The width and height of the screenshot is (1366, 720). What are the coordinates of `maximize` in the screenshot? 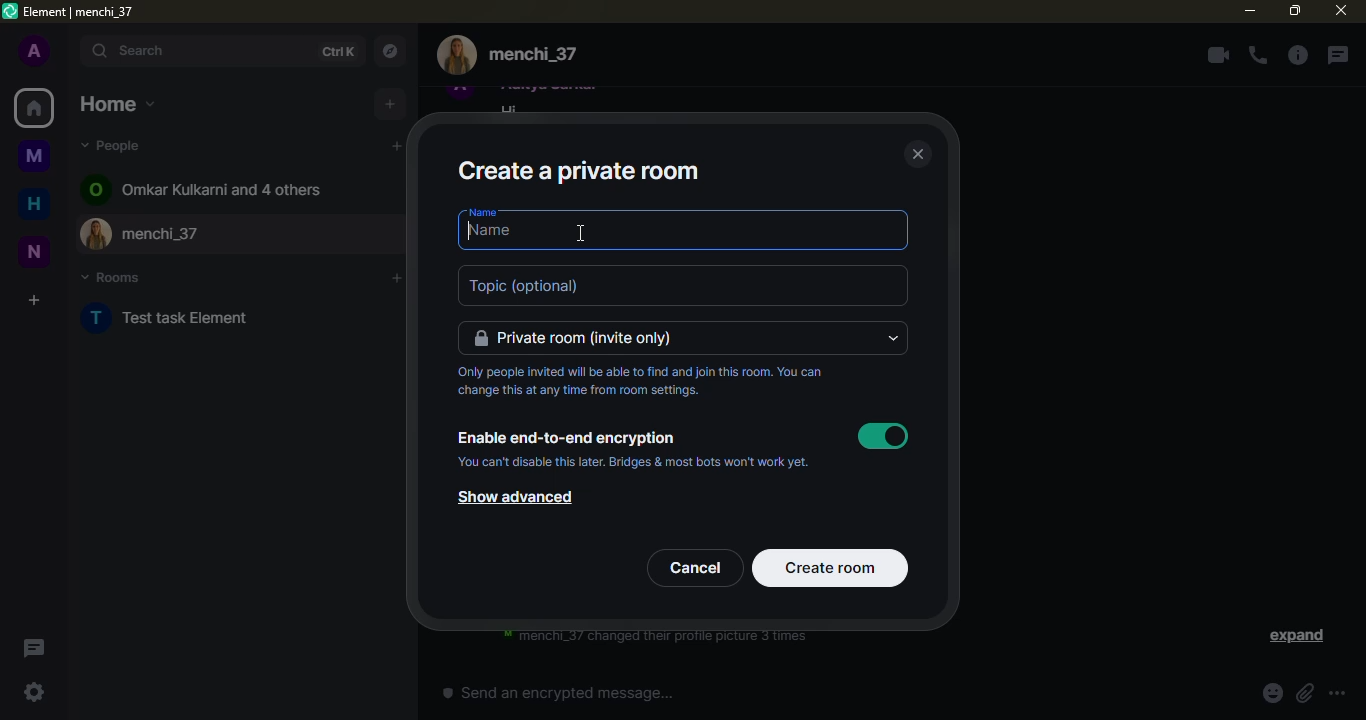 It's located at (1295, 11).